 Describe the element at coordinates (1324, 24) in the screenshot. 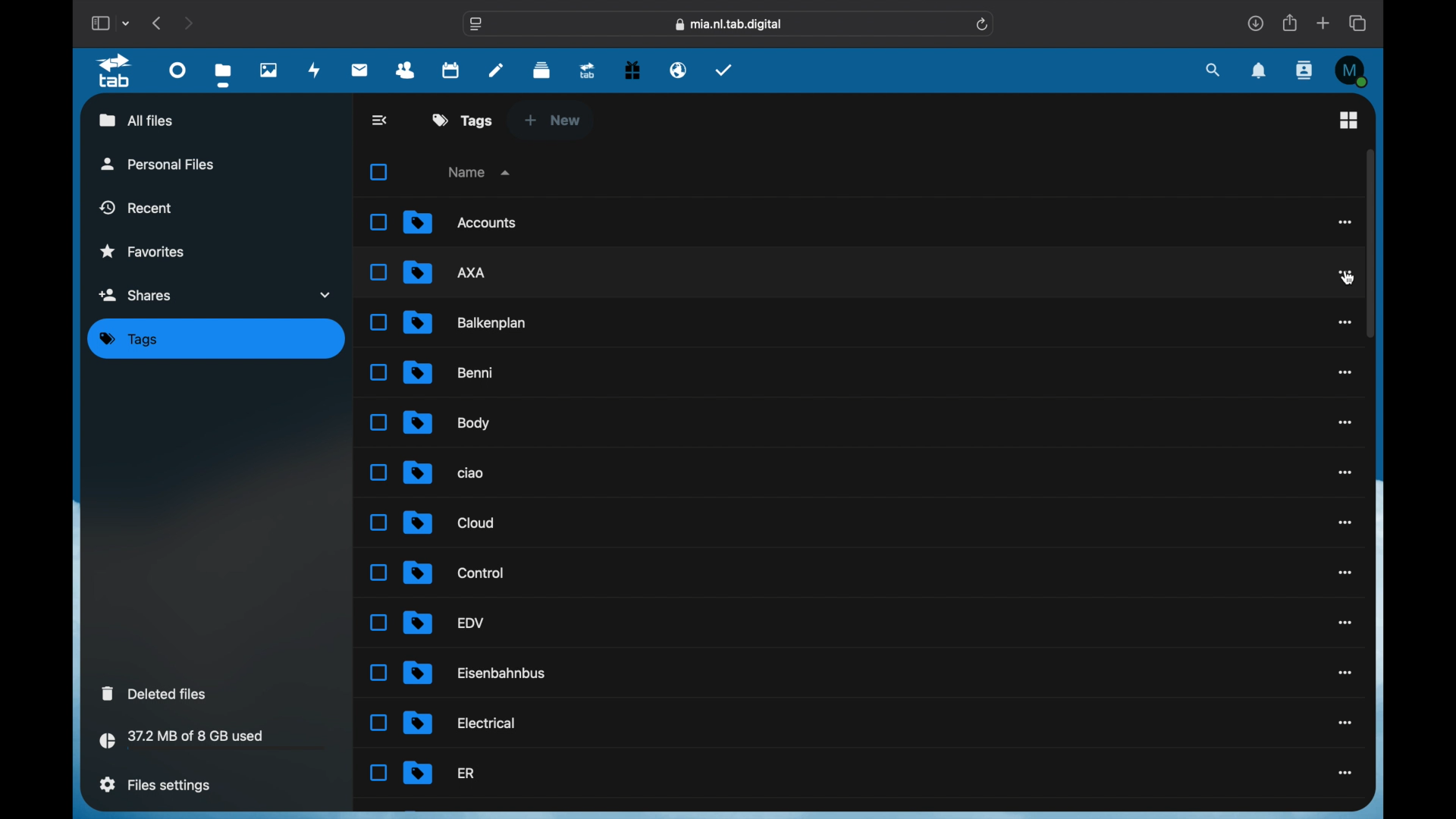

I see `new tab` at that location.